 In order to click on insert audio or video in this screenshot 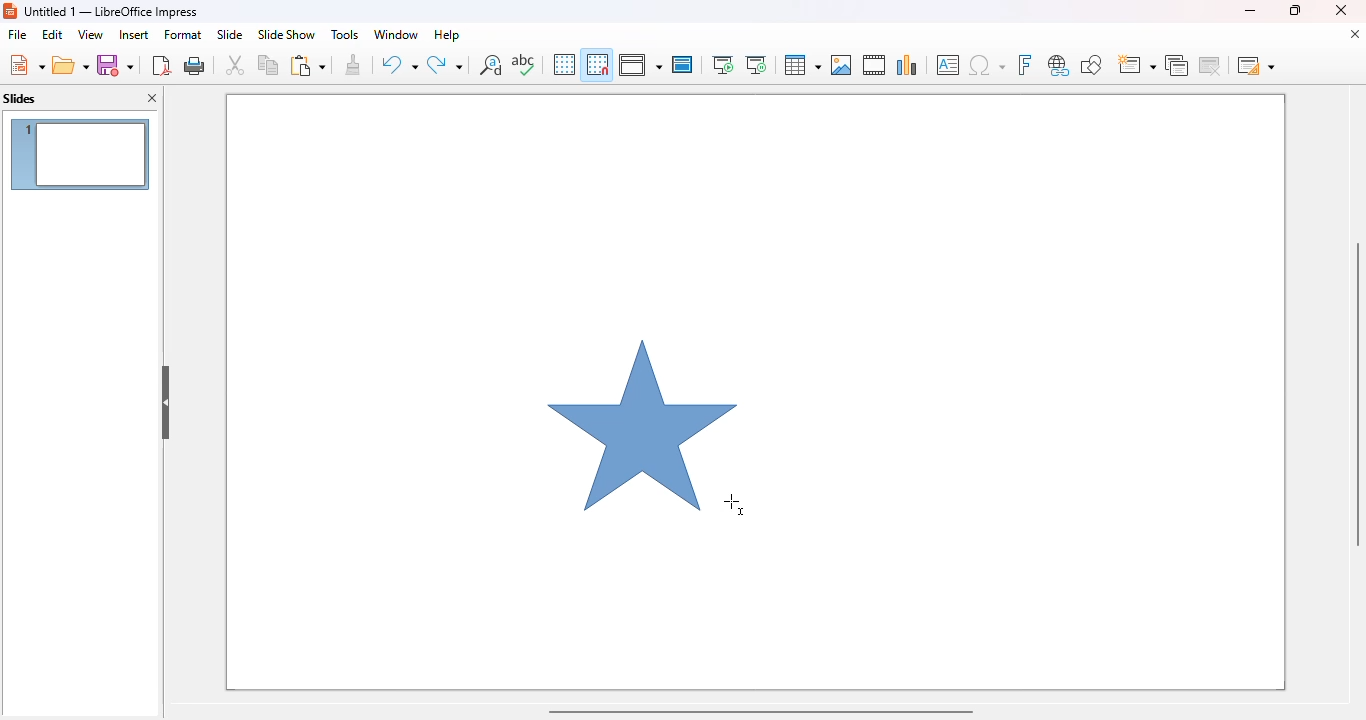, I will do `click(874, 64)`.